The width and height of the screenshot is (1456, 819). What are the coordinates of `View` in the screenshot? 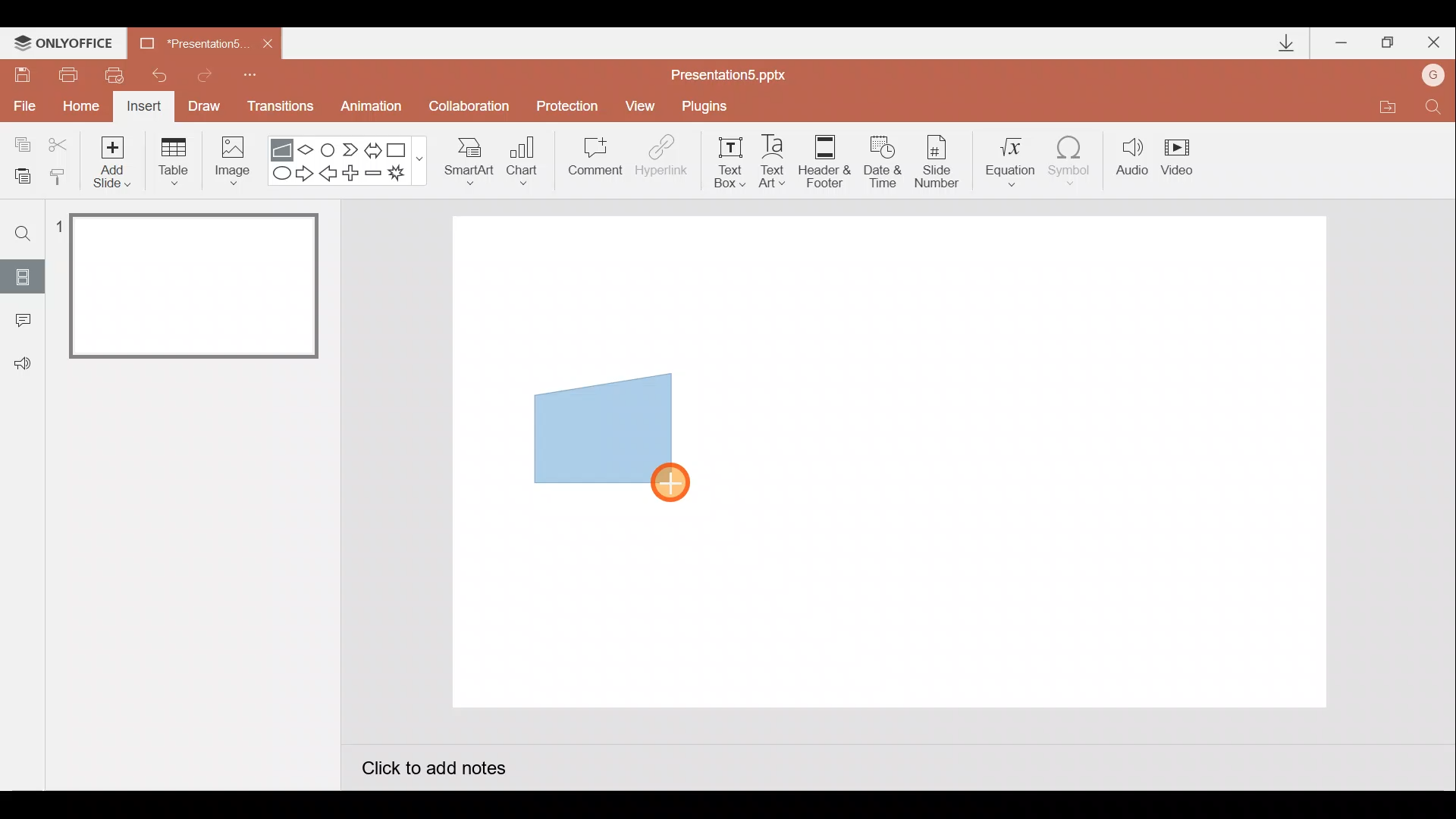 It's located at (642, 105).